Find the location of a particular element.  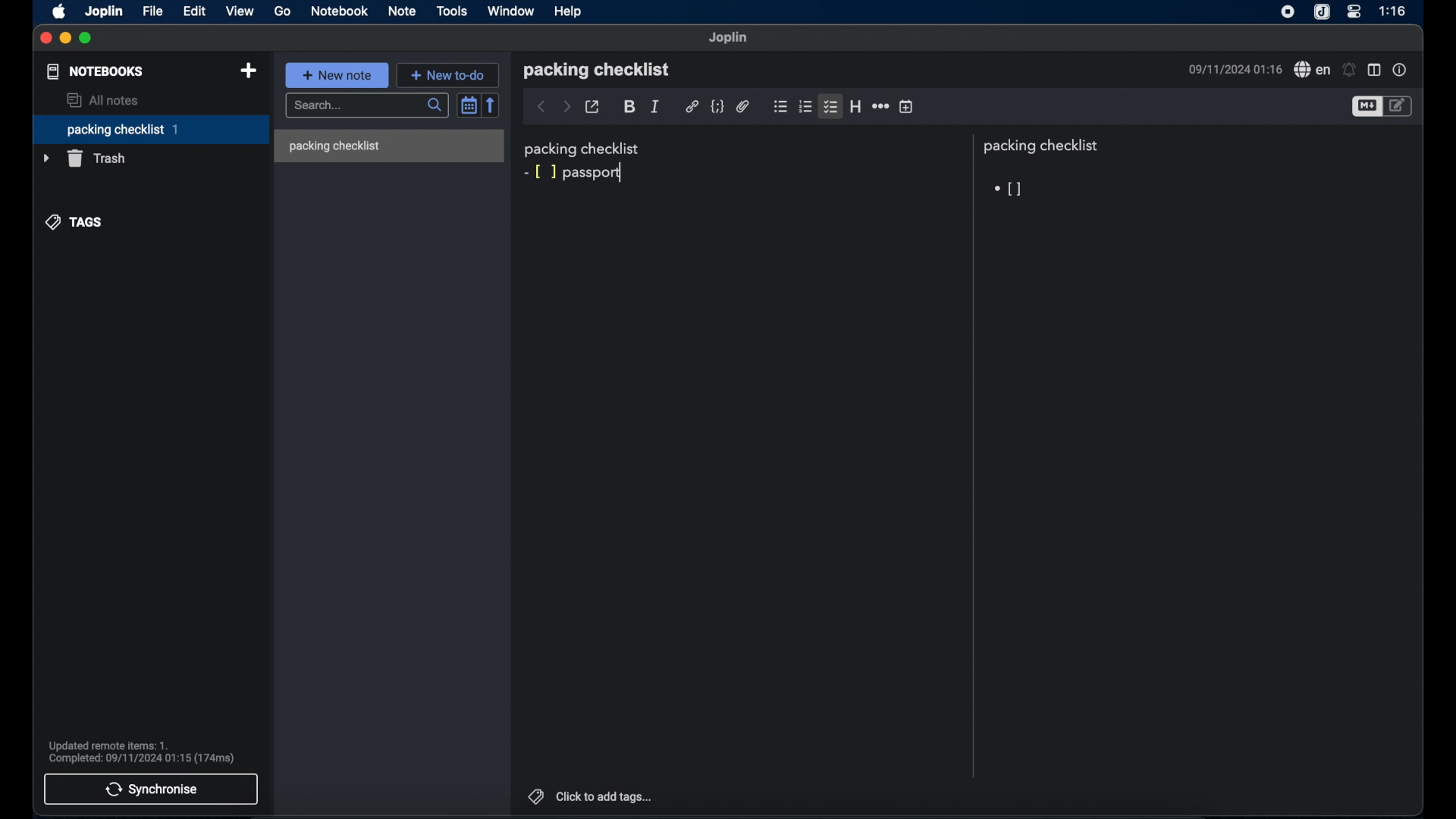

hyperlink is located at coordinates (692, 107).